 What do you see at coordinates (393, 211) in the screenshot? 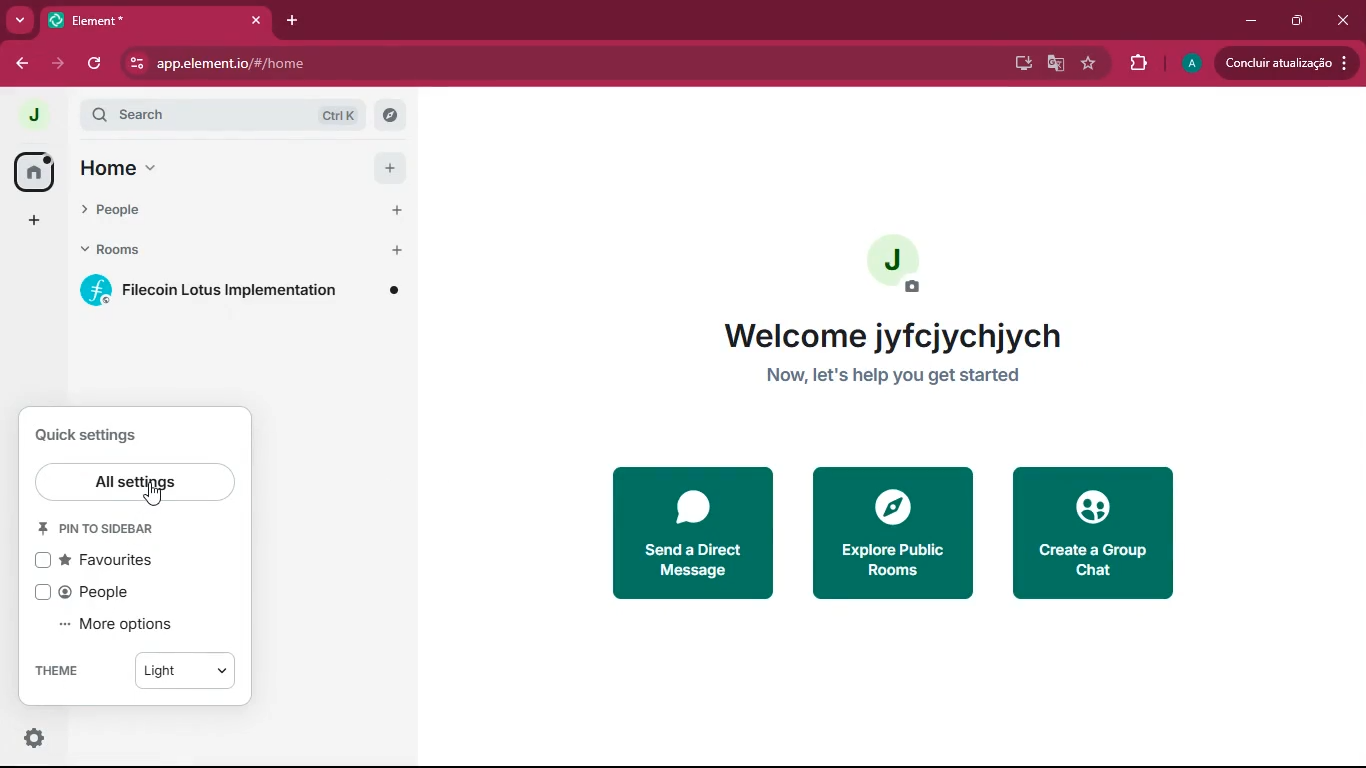
I see `Add ` at bounding box center [393, 211].